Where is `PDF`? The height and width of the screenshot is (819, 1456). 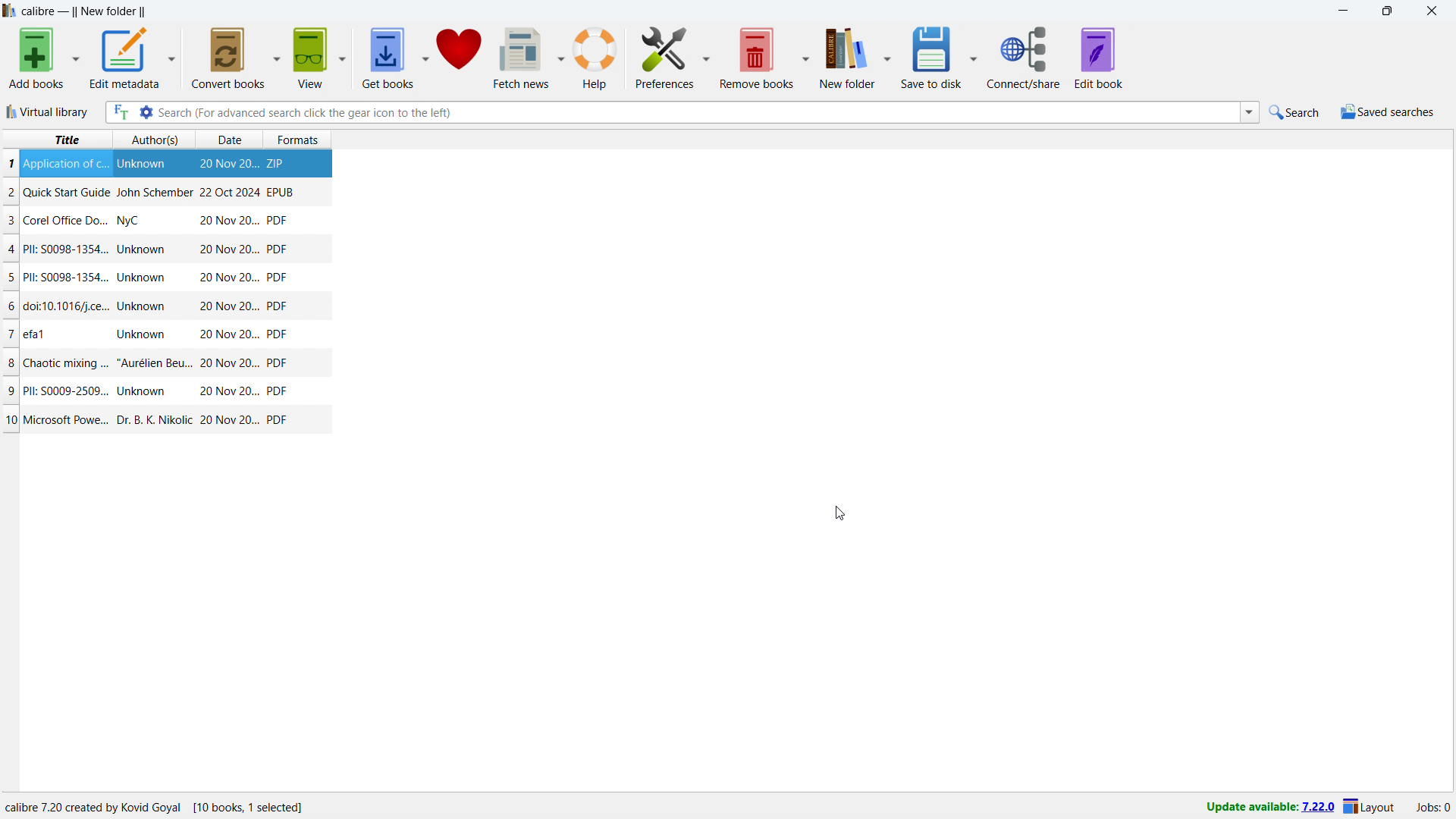
PDF is located at coordinates (277, 278).